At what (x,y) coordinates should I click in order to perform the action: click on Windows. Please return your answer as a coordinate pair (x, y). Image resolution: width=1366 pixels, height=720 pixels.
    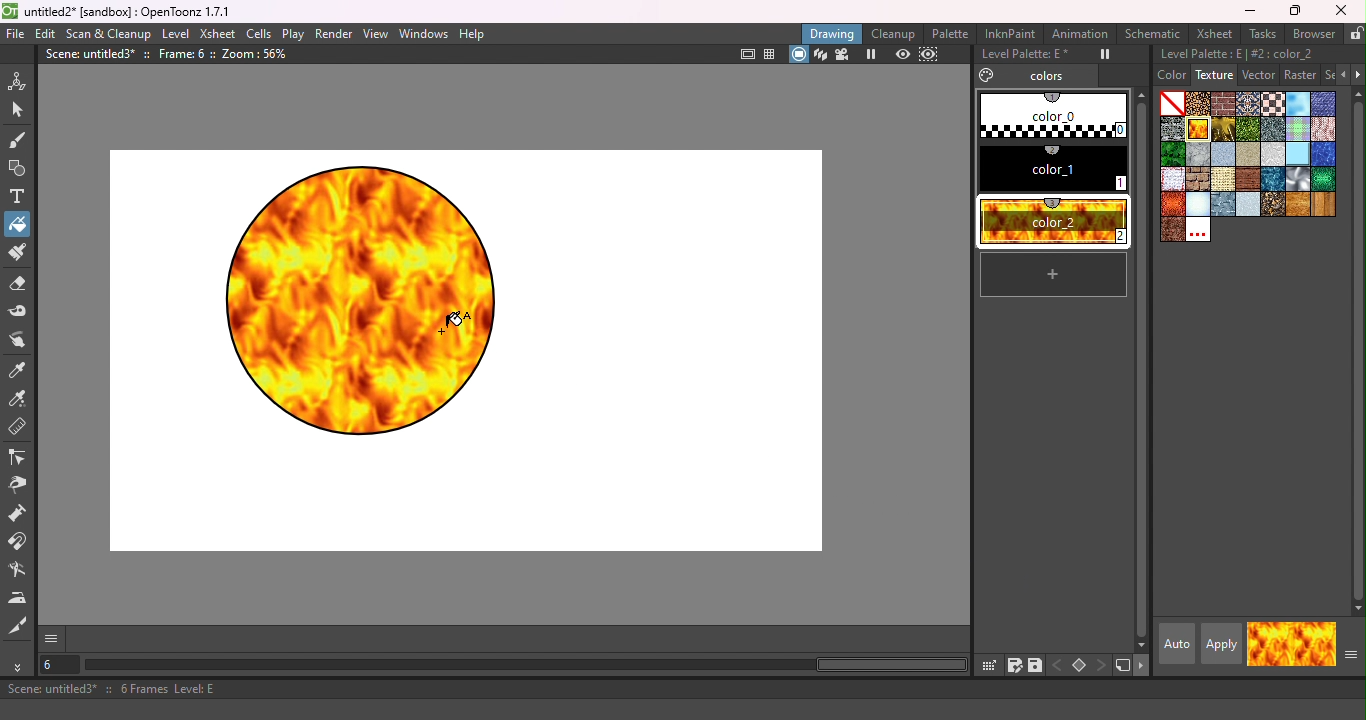
    Looking at the image, I should click on (424, 33).